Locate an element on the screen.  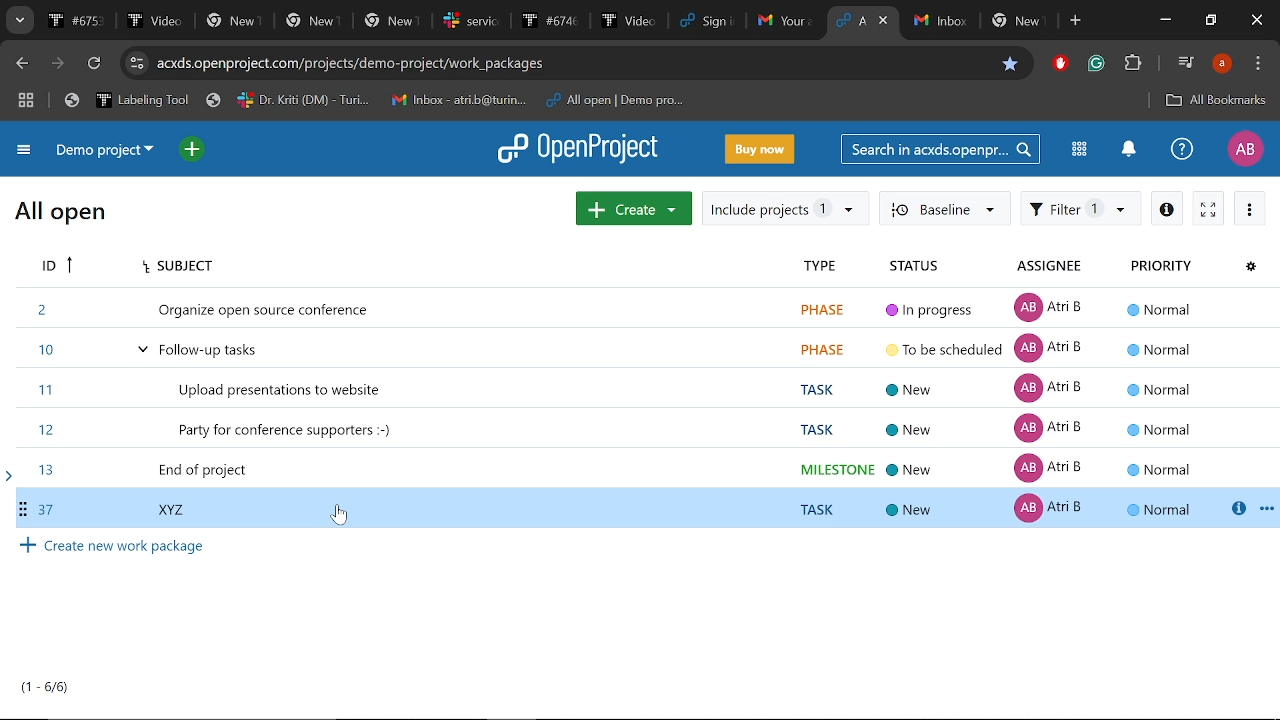
Notification is located at coordinates (1127, 151).